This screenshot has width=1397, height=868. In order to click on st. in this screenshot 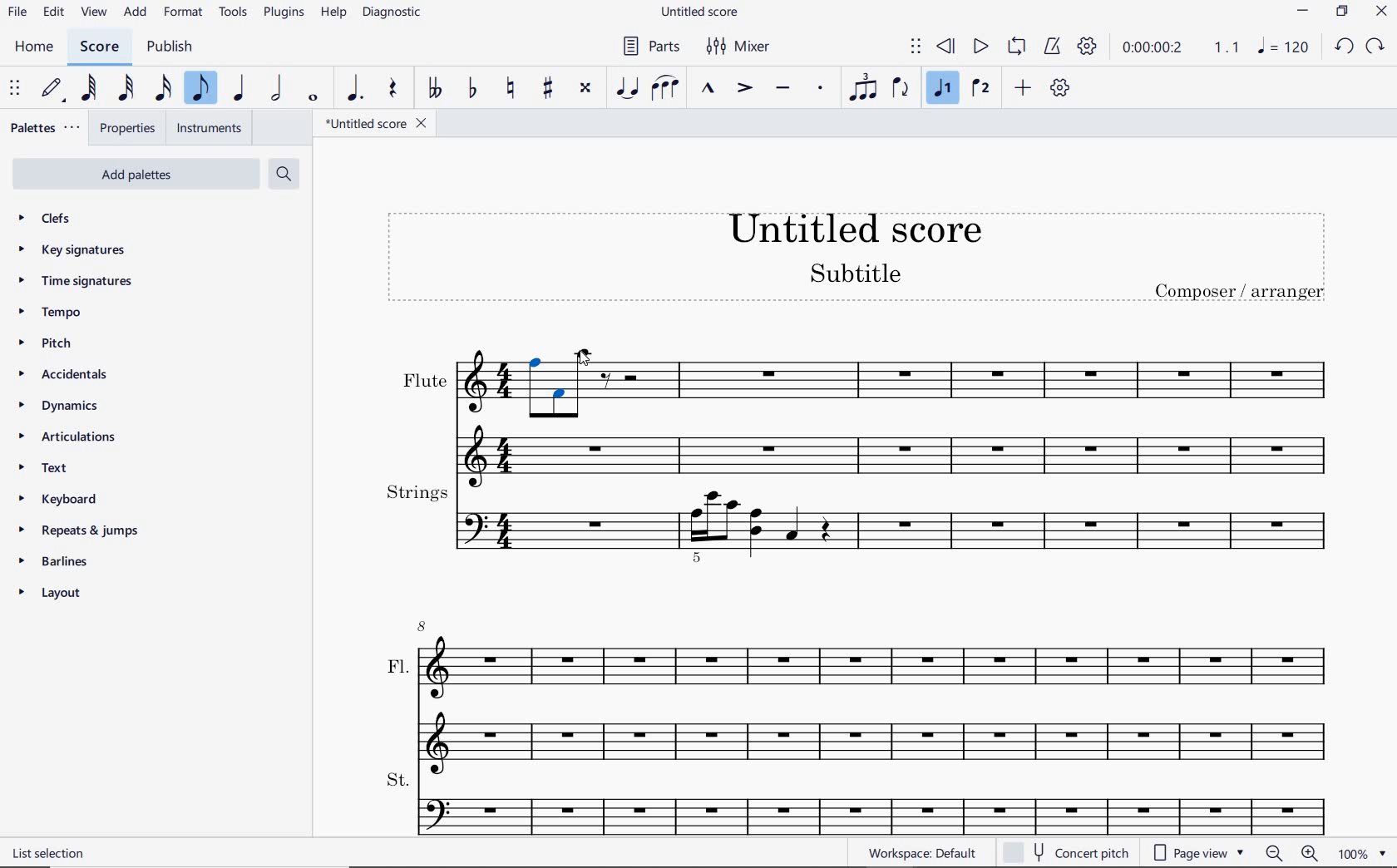, I will do `click(875, 801)`.